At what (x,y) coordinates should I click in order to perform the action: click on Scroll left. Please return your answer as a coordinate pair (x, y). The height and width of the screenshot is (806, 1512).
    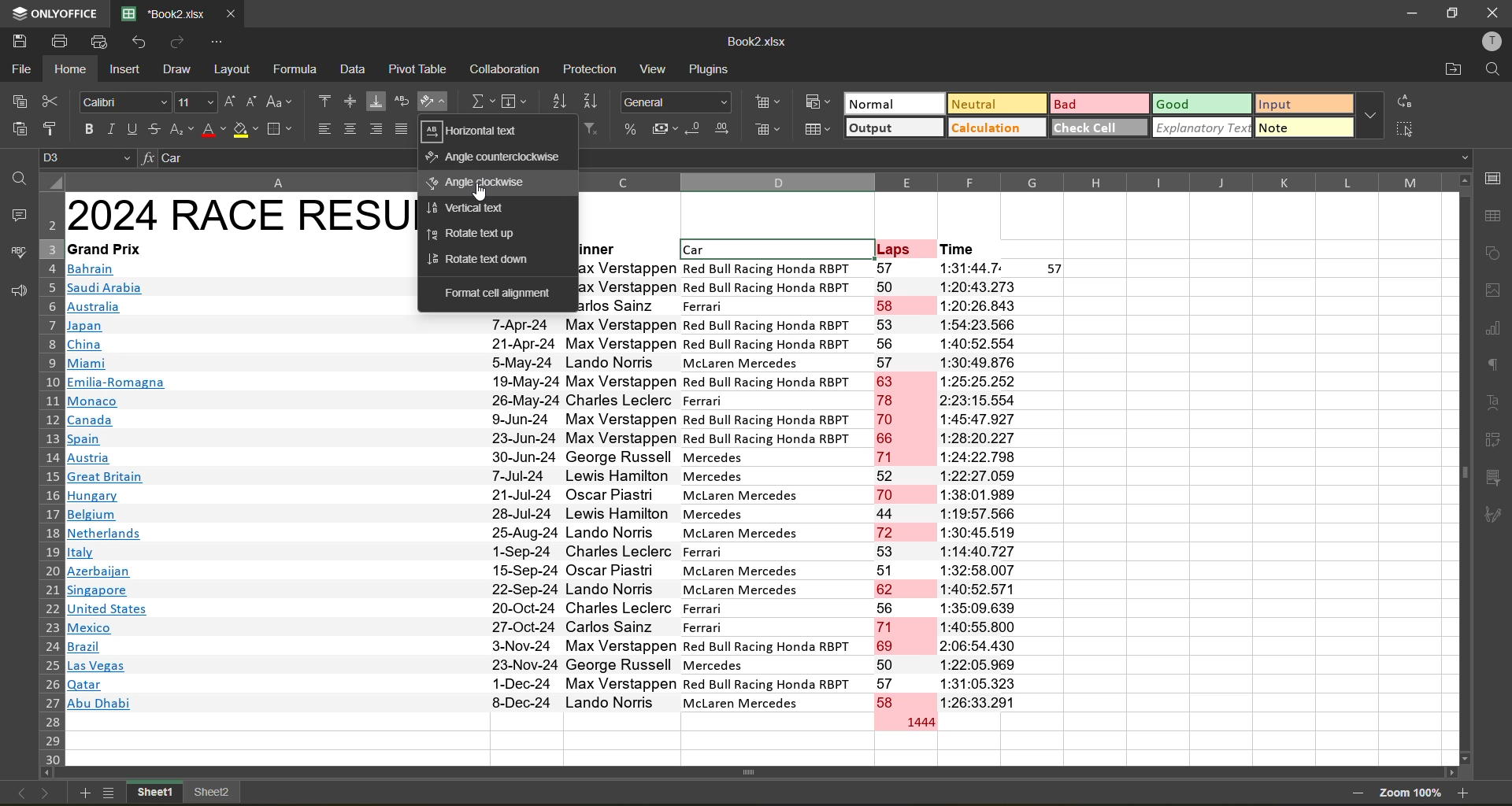
    Looking at the image, I should click on (49, 773).